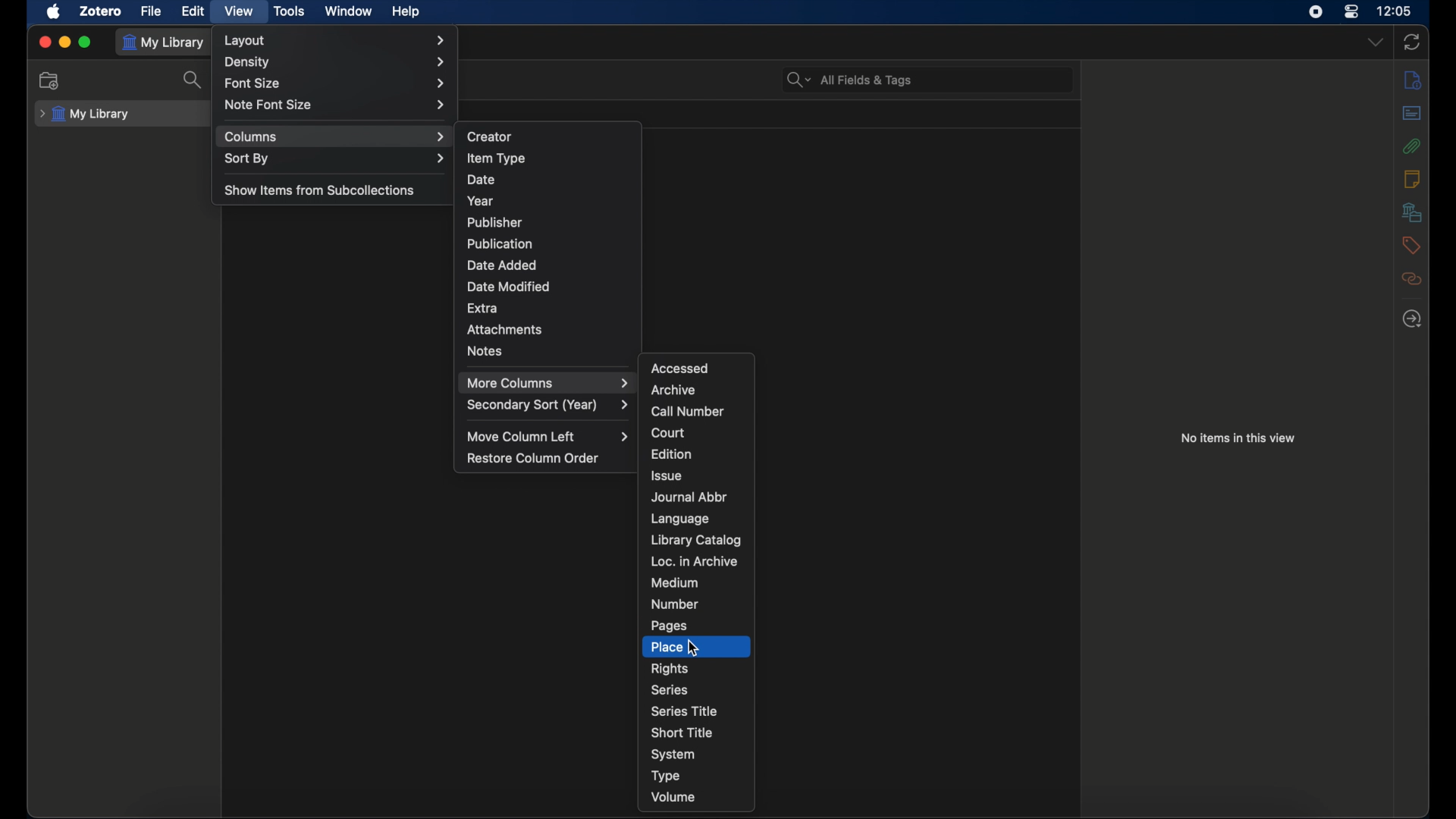  Describe the element at coordinates (290, 11) in the screenshot. I see `tools` at that location.